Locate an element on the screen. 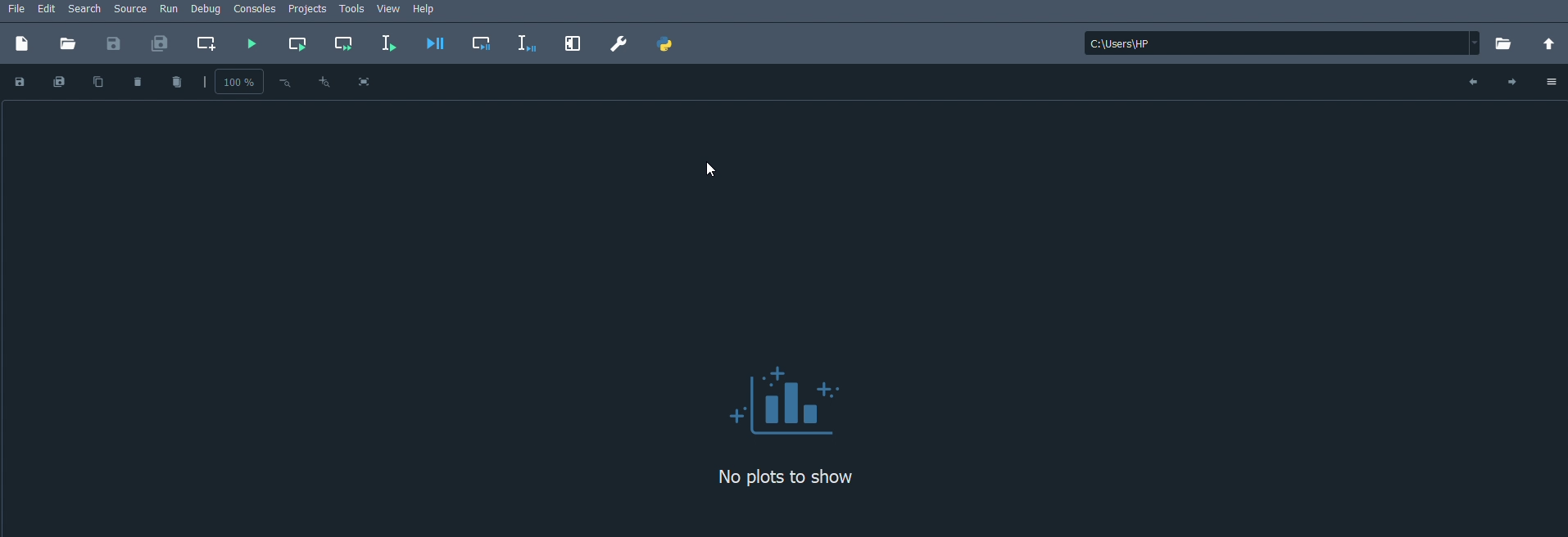 Image resolution: width=1568 pixels, height=537 pixels. Create new cell at the current line is located at coordinates (211, 43).